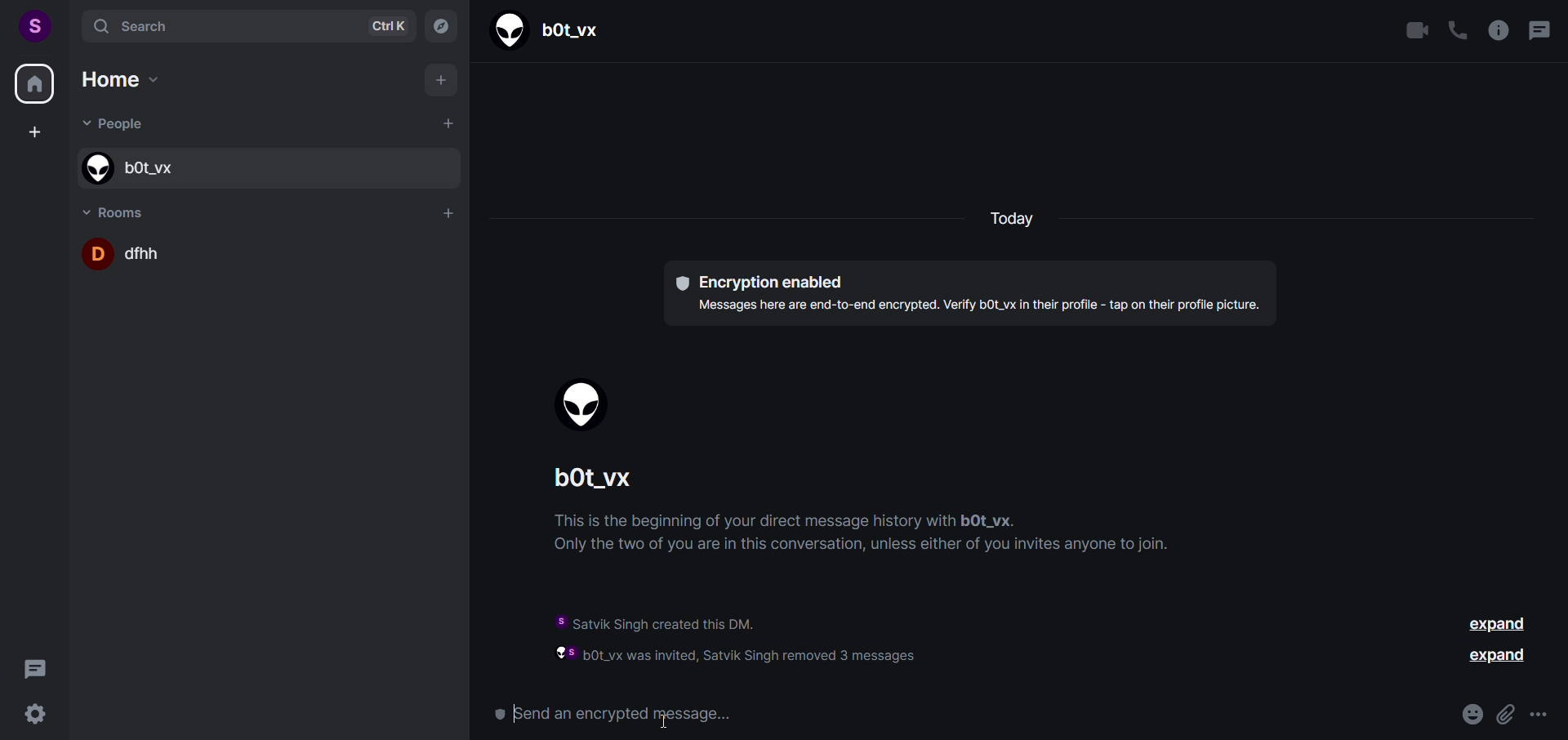 This screenshot has width=1568, height=740. I want to click on room name, so click(269, 253).